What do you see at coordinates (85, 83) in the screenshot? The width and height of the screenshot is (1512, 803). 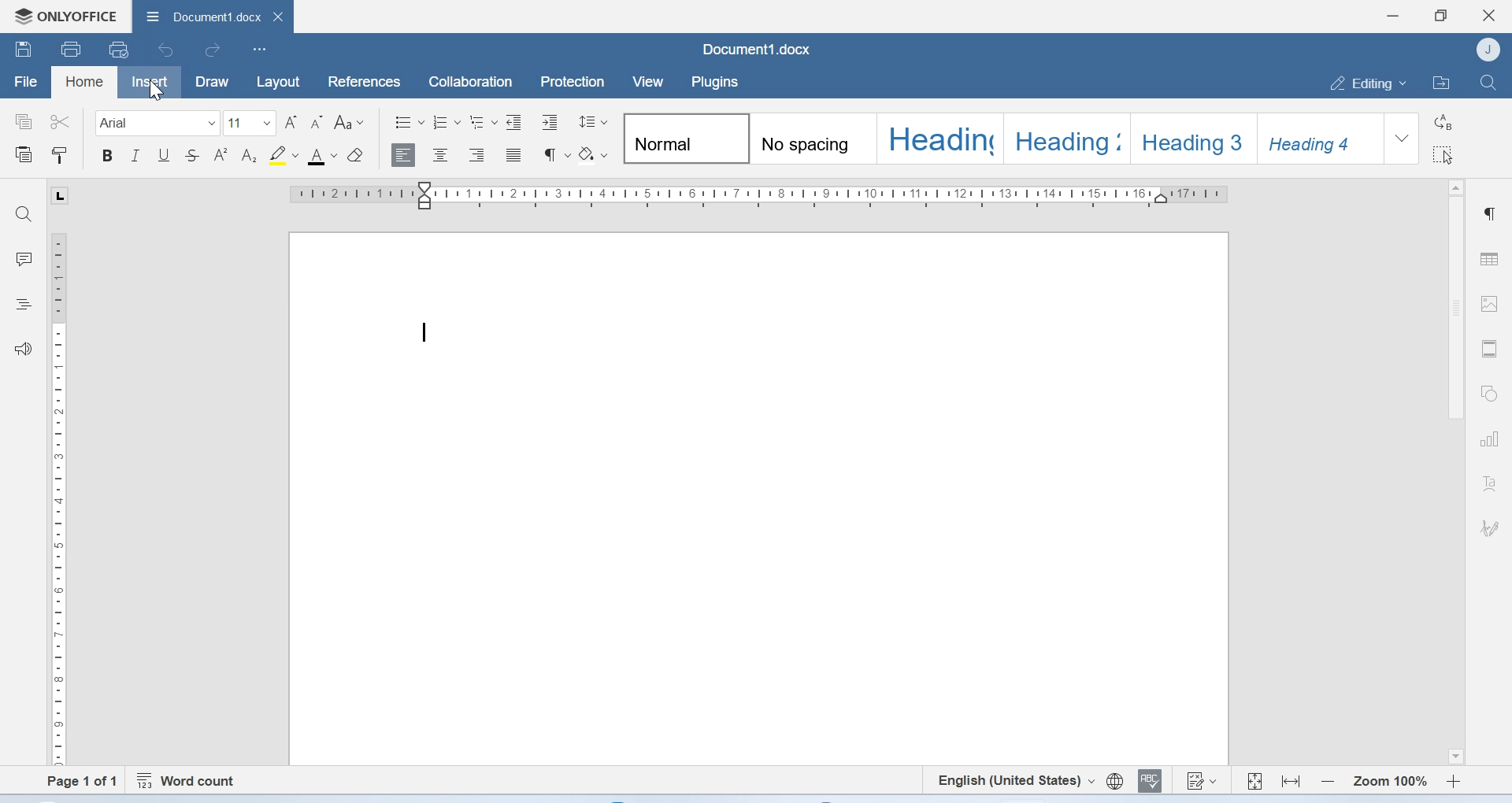 I see `Home` at bounding box center [85, 83].